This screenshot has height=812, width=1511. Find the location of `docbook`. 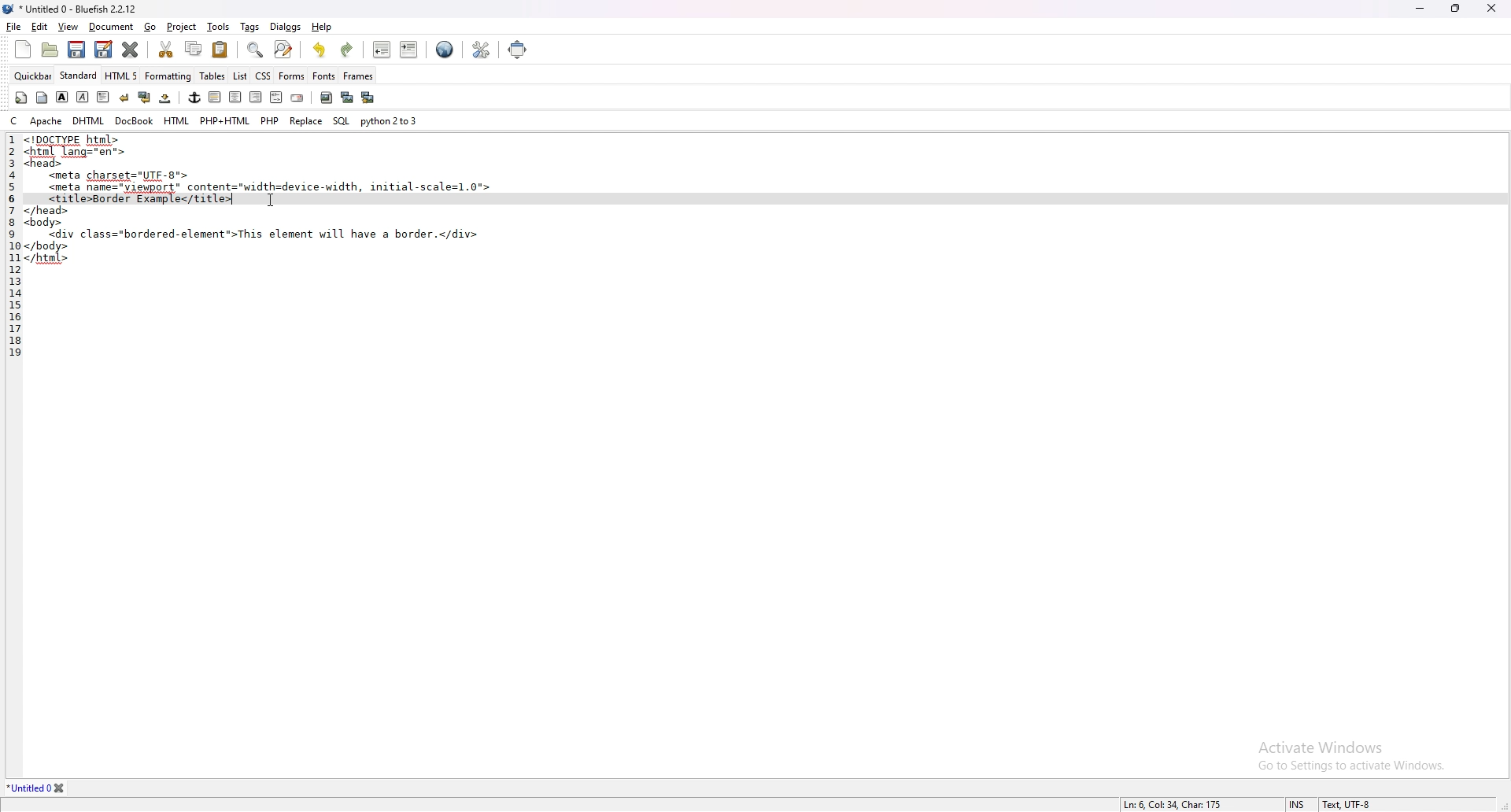

docbook is located at coordinates (134, 120).